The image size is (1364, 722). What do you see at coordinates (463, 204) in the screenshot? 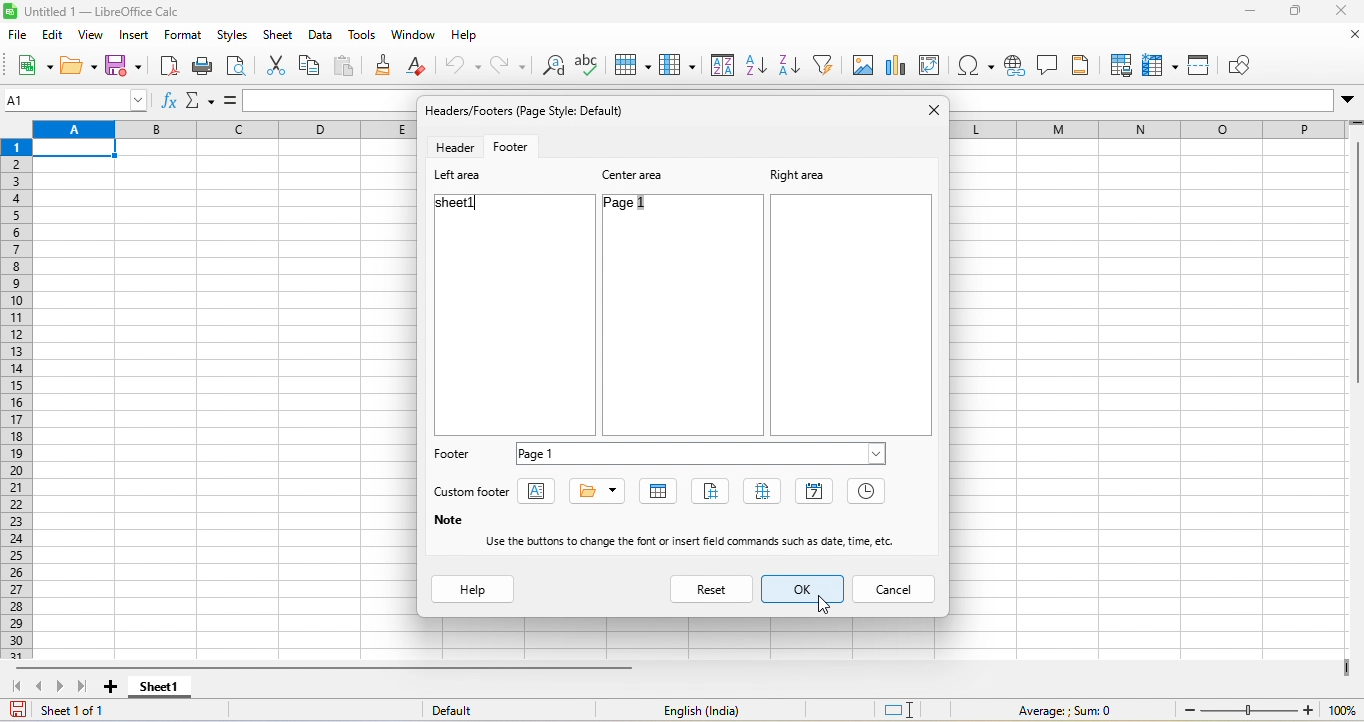
I see `sheet1` at bounding box center [463, 204].